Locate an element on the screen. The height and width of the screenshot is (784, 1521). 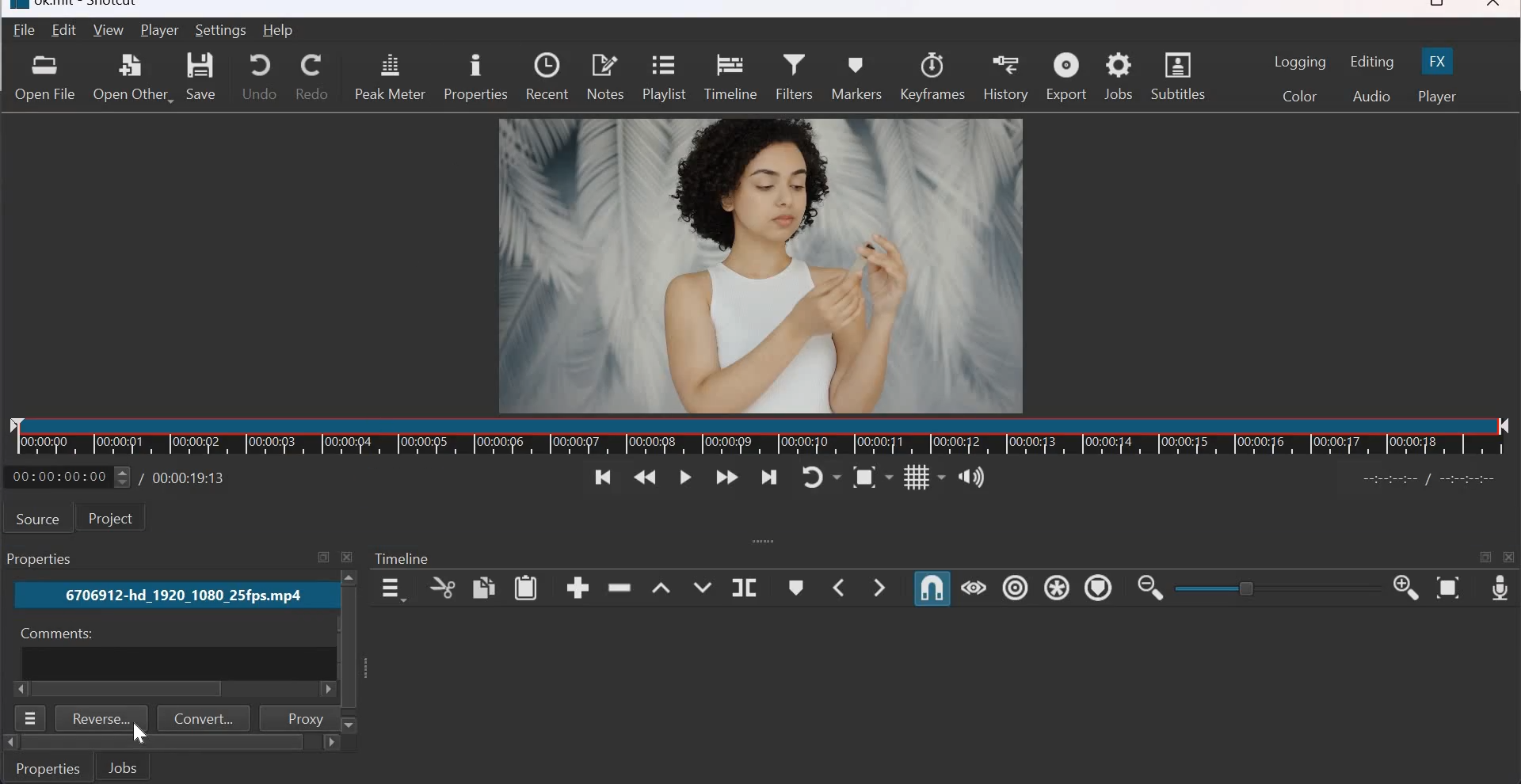
properties is located at coordinates (475, 78).